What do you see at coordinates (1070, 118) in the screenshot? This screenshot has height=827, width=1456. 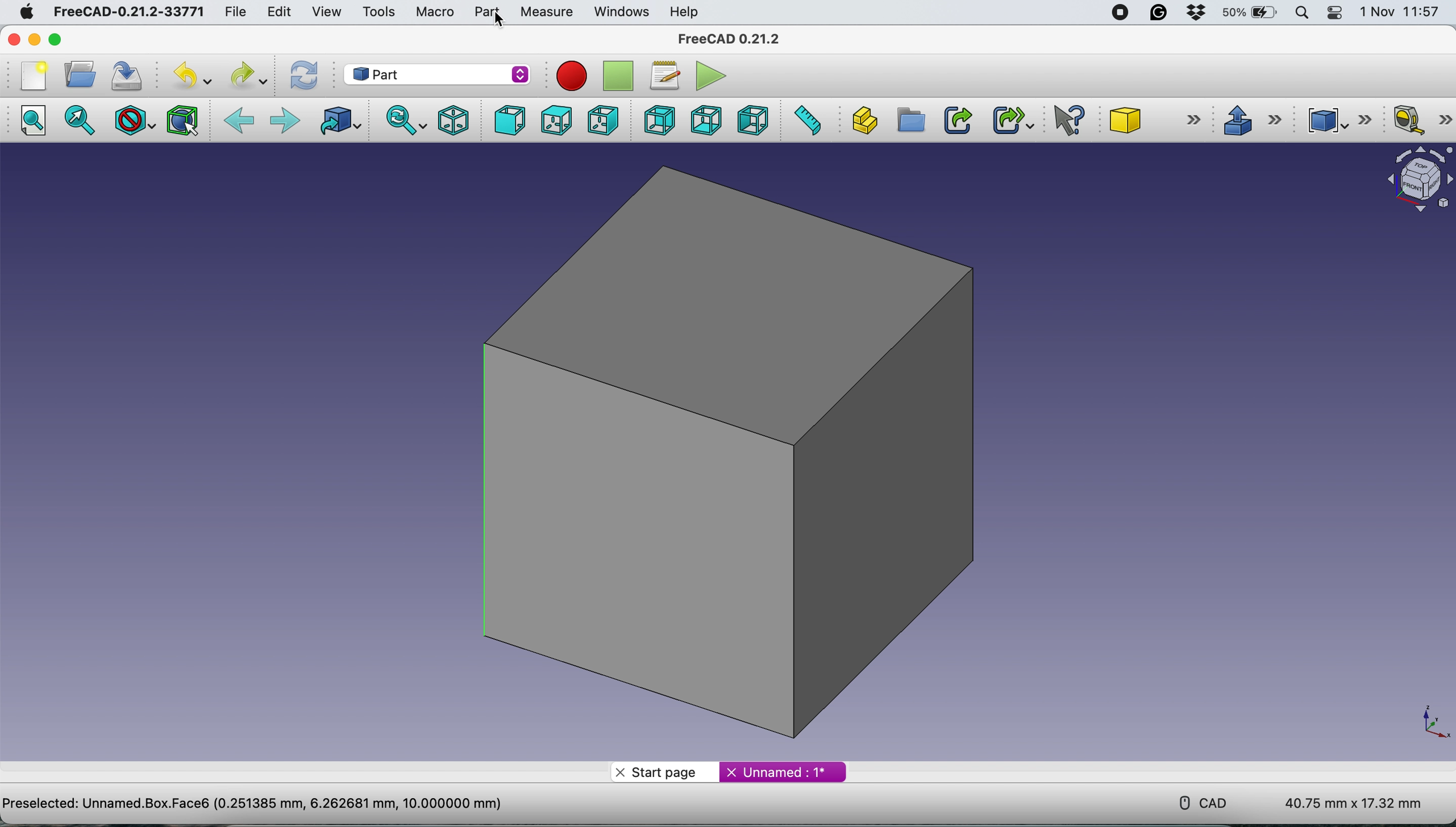 I see `what's this` at bounding box center [1070, 118].